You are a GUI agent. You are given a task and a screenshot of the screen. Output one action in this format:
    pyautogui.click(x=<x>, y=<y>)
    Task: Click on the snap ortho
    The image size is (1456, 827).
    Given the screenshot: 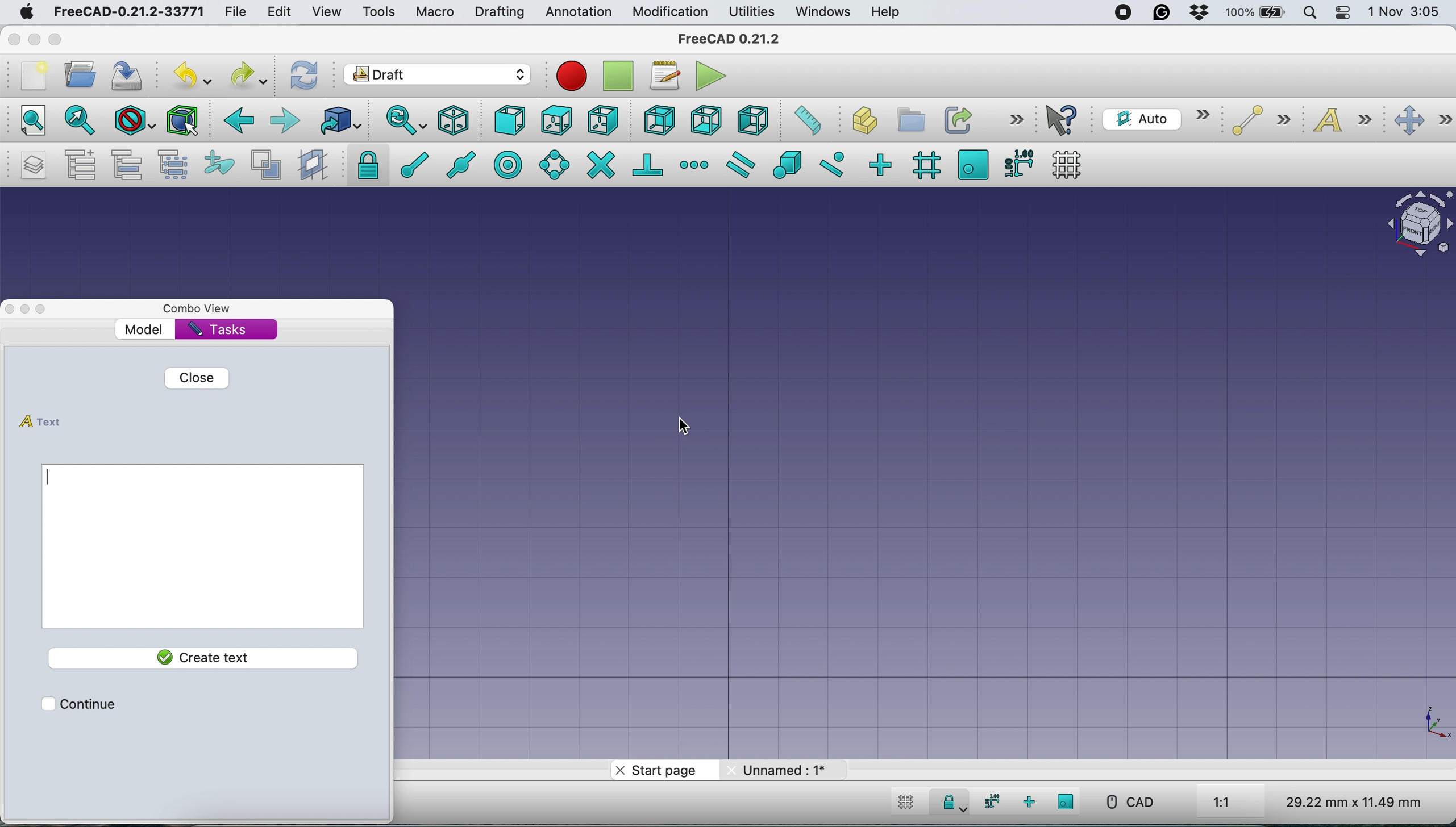 What is the action you would take?
    pyautogui.click(x=1032, y=801)
    